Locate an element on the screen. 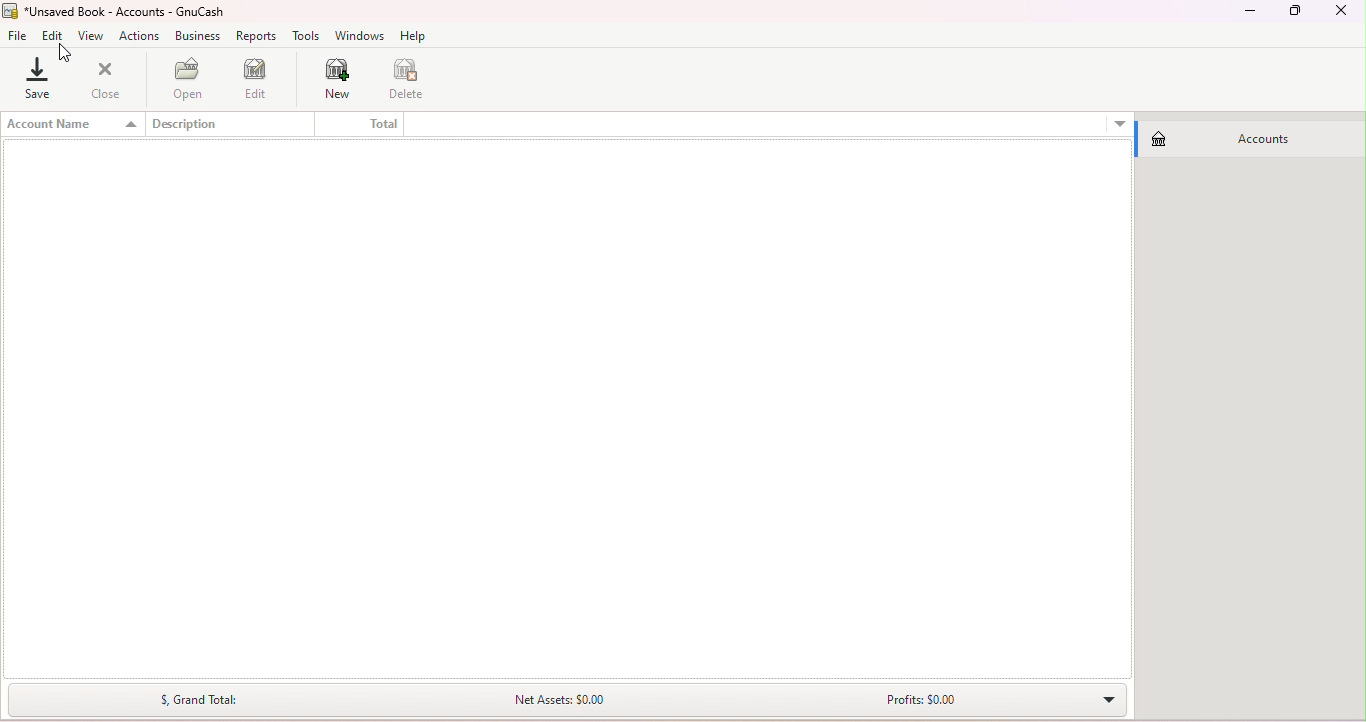 The width and height of the screenshot is (1366, 722). File name is located at coordinates (126, 12).